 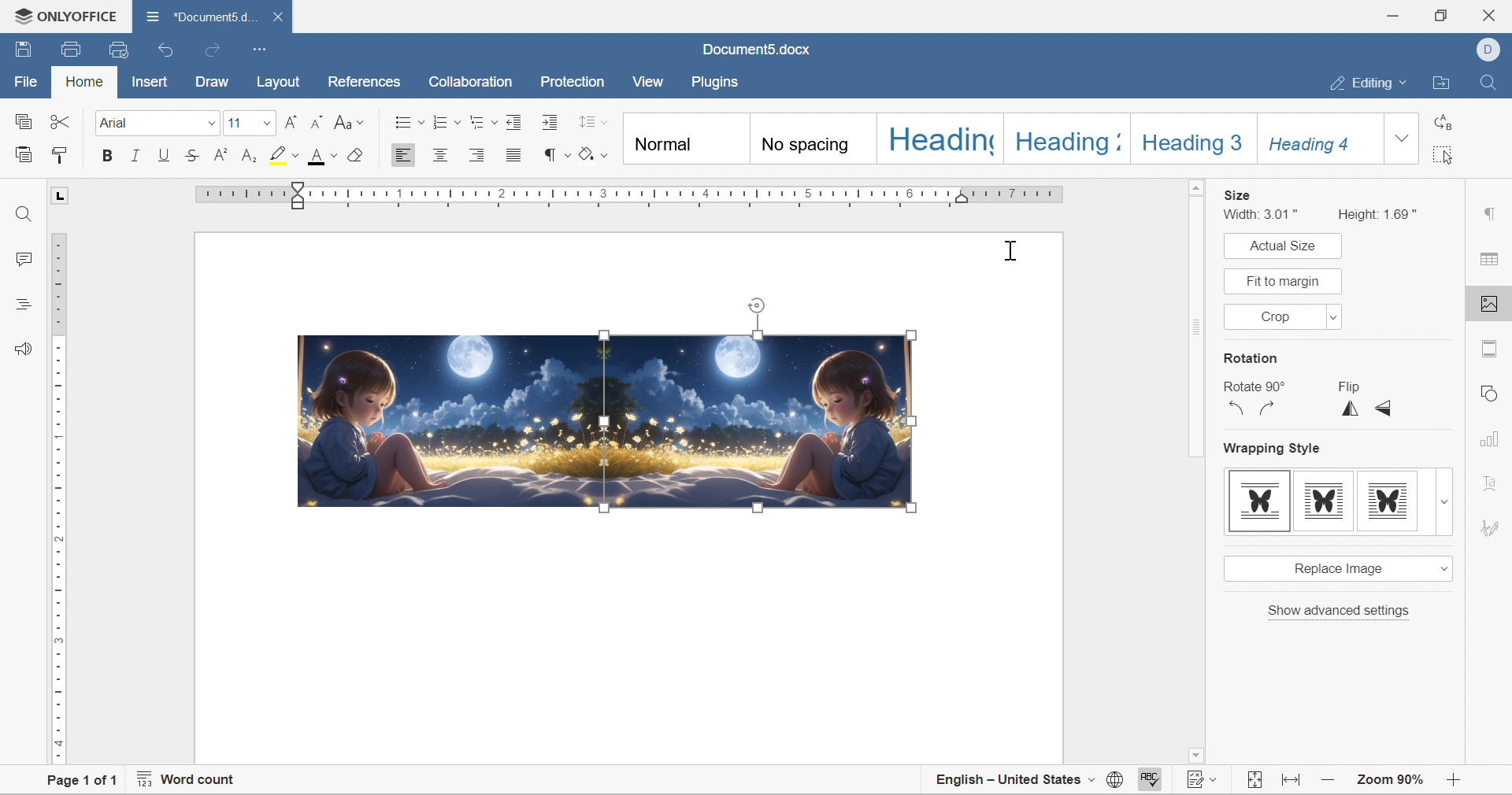 I want to click on print, so click(x=69, y=52).